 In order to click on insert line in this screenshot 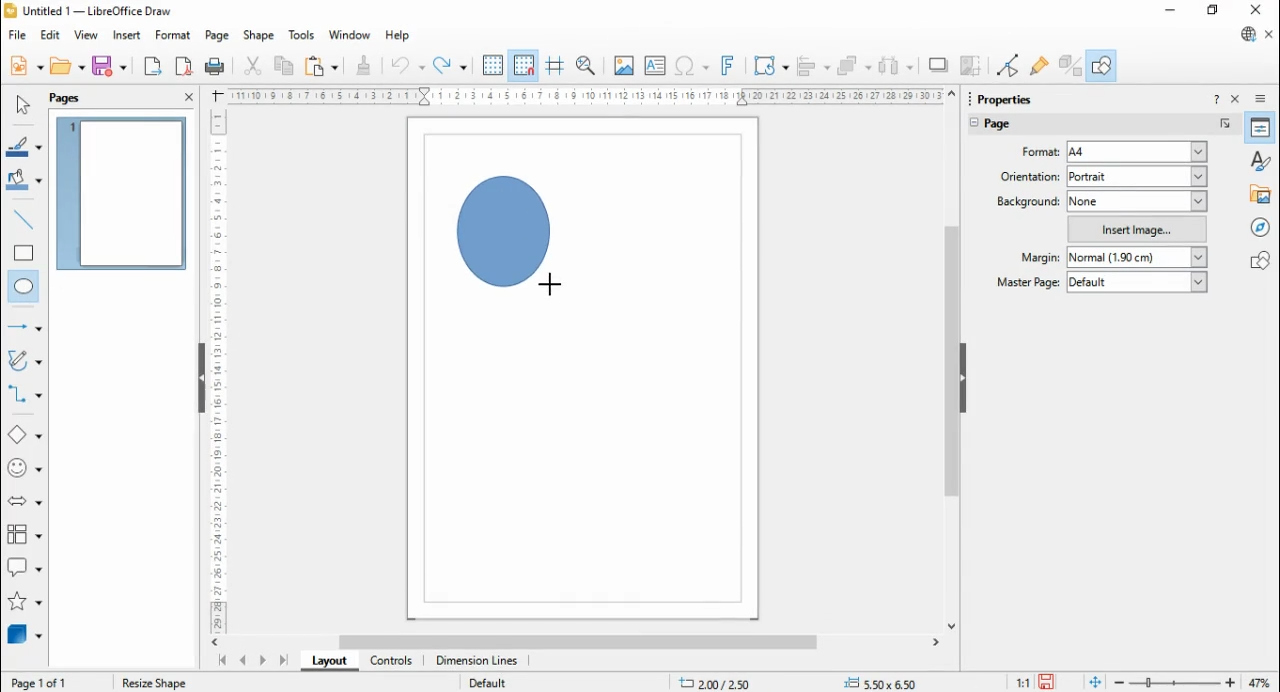, I will do `click(26, 220)`.